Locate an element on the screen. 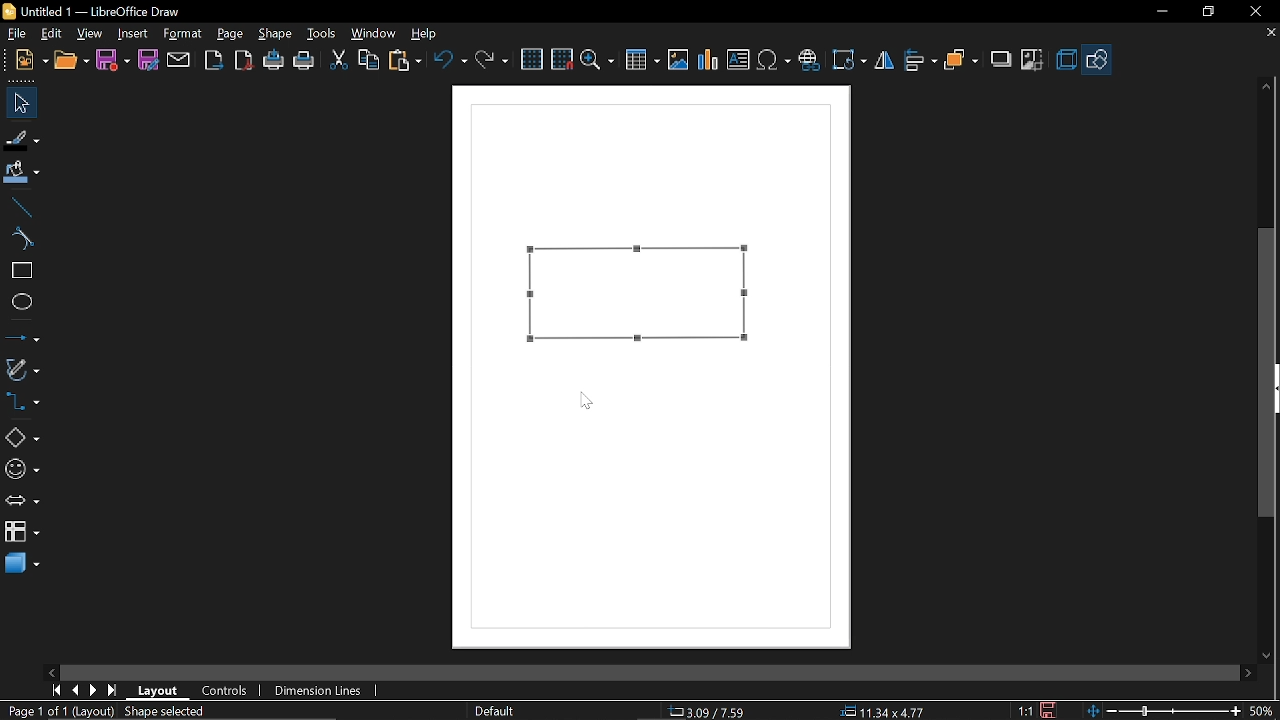 The width and height of the screenshot is (1280, 720). page is located at coordinates (231, 33).